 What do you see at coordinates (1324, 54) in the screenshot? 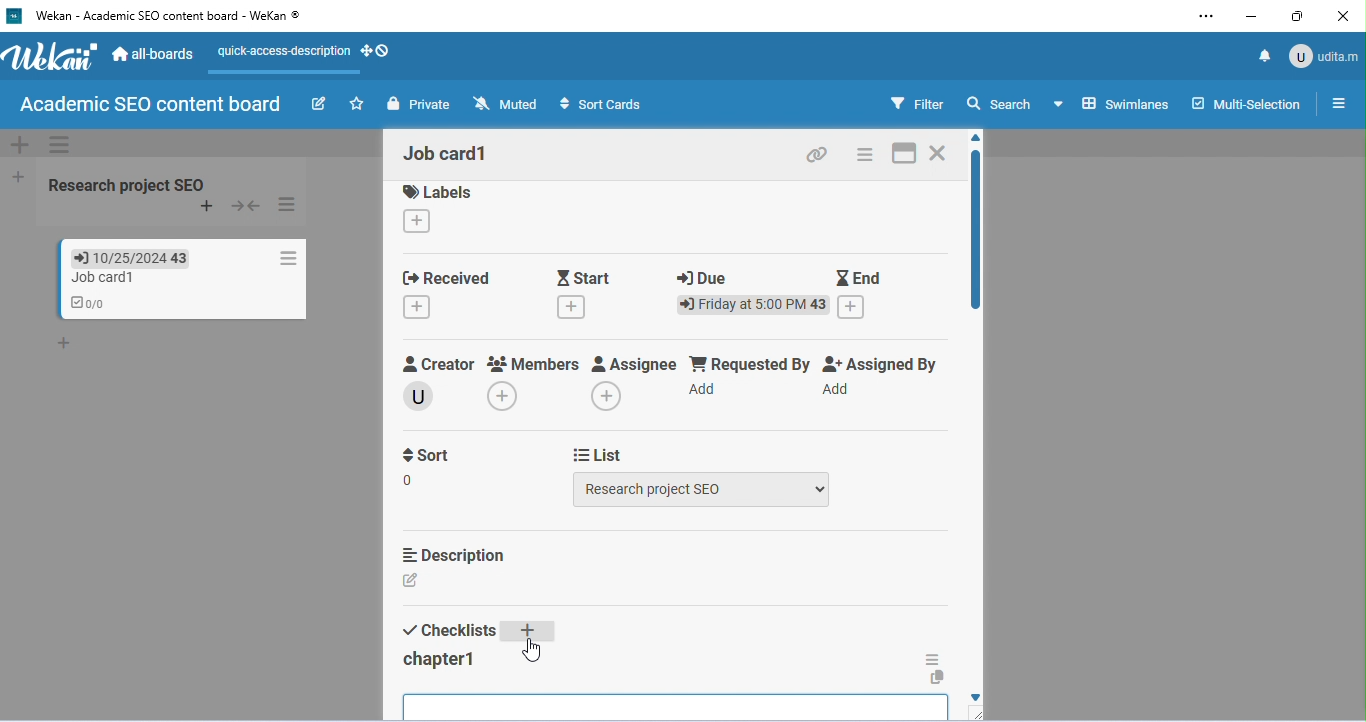
I see `admin` at bounding box center [1324, 54].